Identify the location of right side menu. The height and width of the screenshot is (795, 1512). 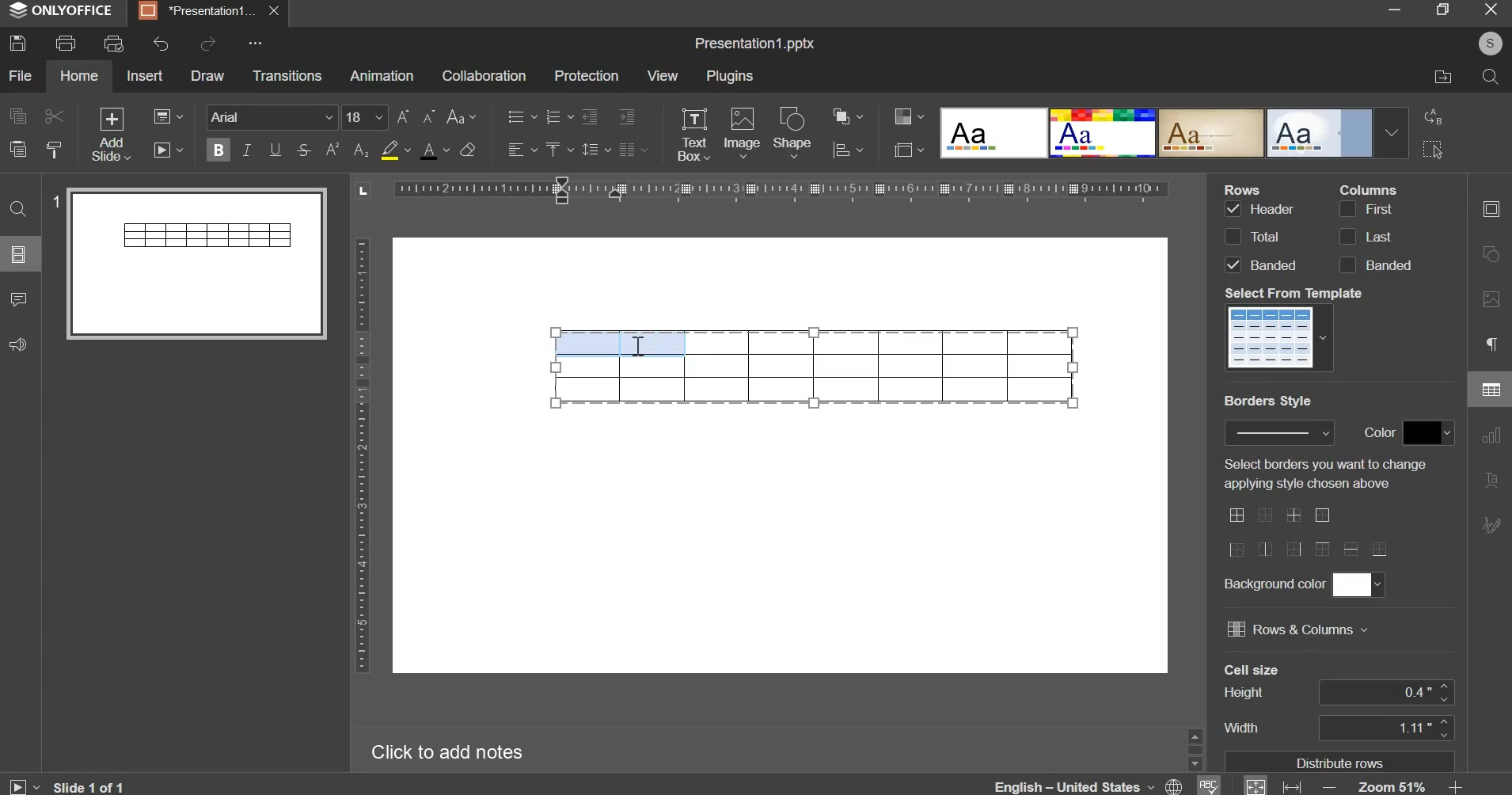
(1491, 371).